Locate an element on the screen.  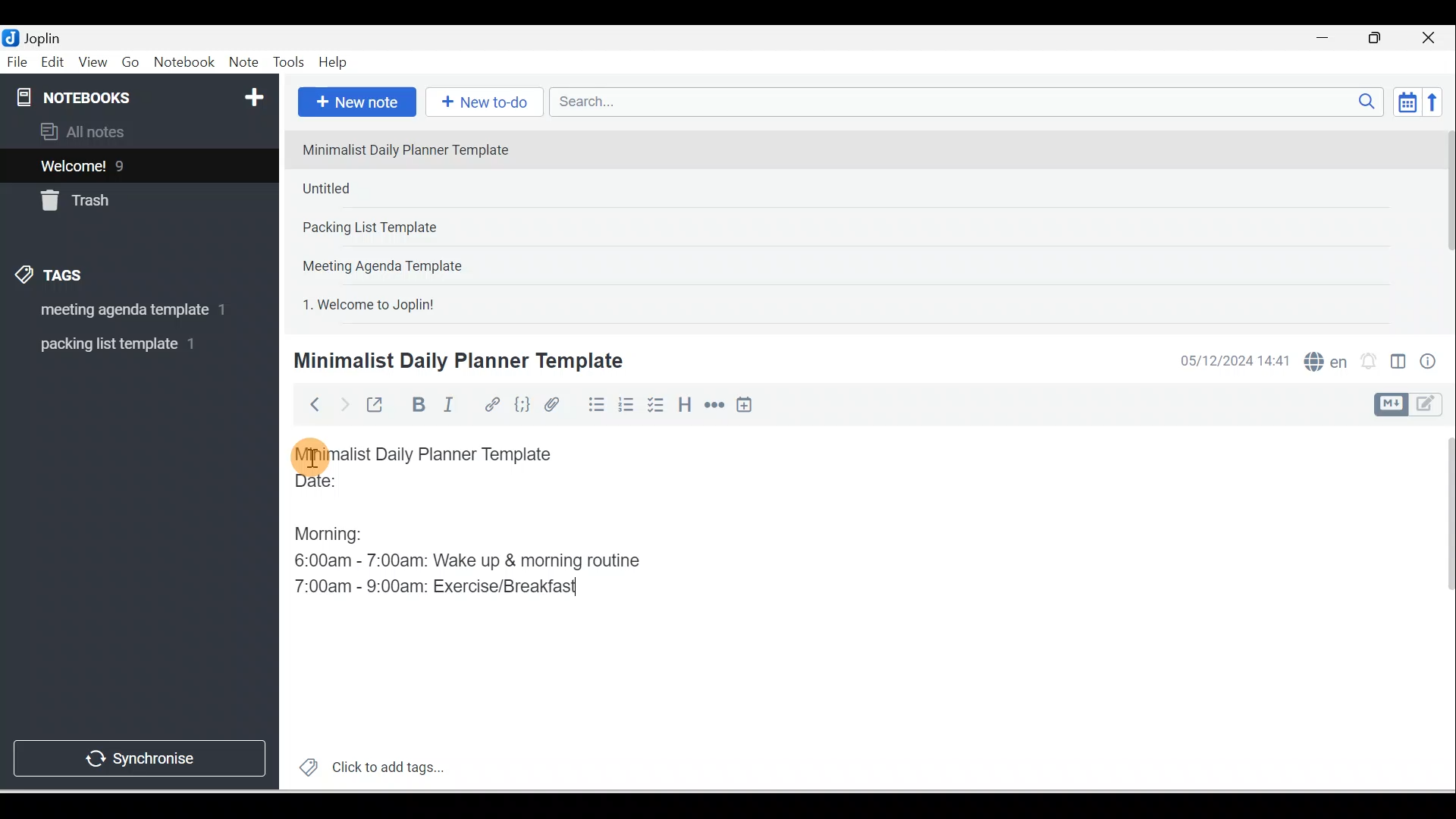
Trash is located at coordinates (111, 196).